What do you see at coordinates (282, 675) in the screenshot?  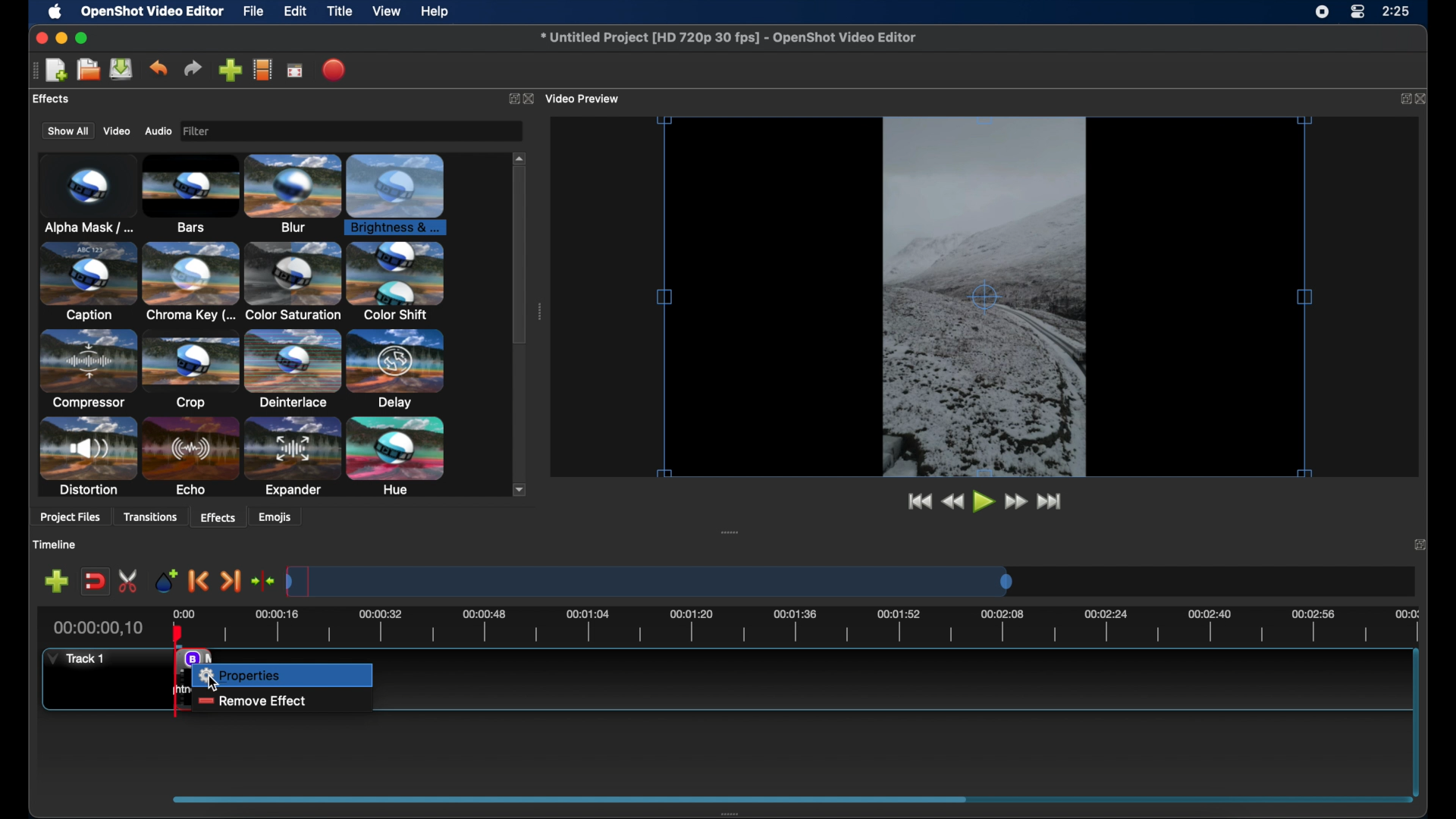 I see `properties highlighted` at bounding box center [282, 675].